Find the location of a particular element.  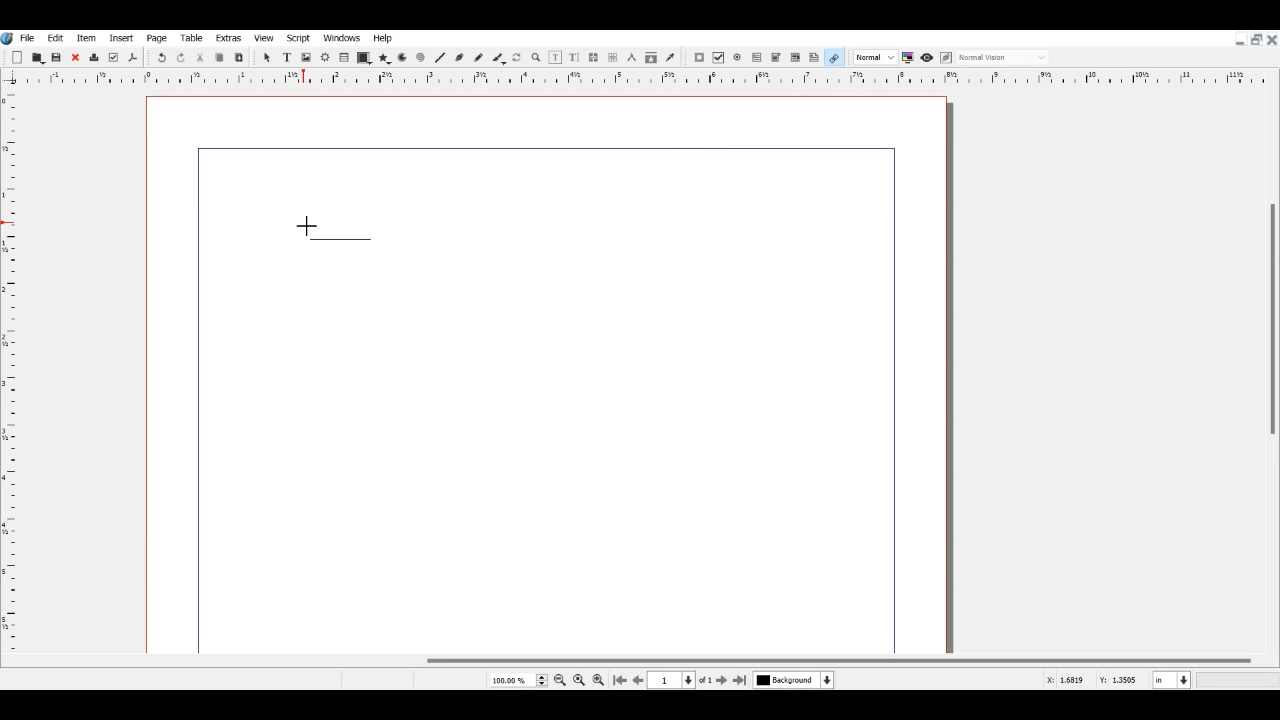

Render frame is located at coordinates (326, 57).